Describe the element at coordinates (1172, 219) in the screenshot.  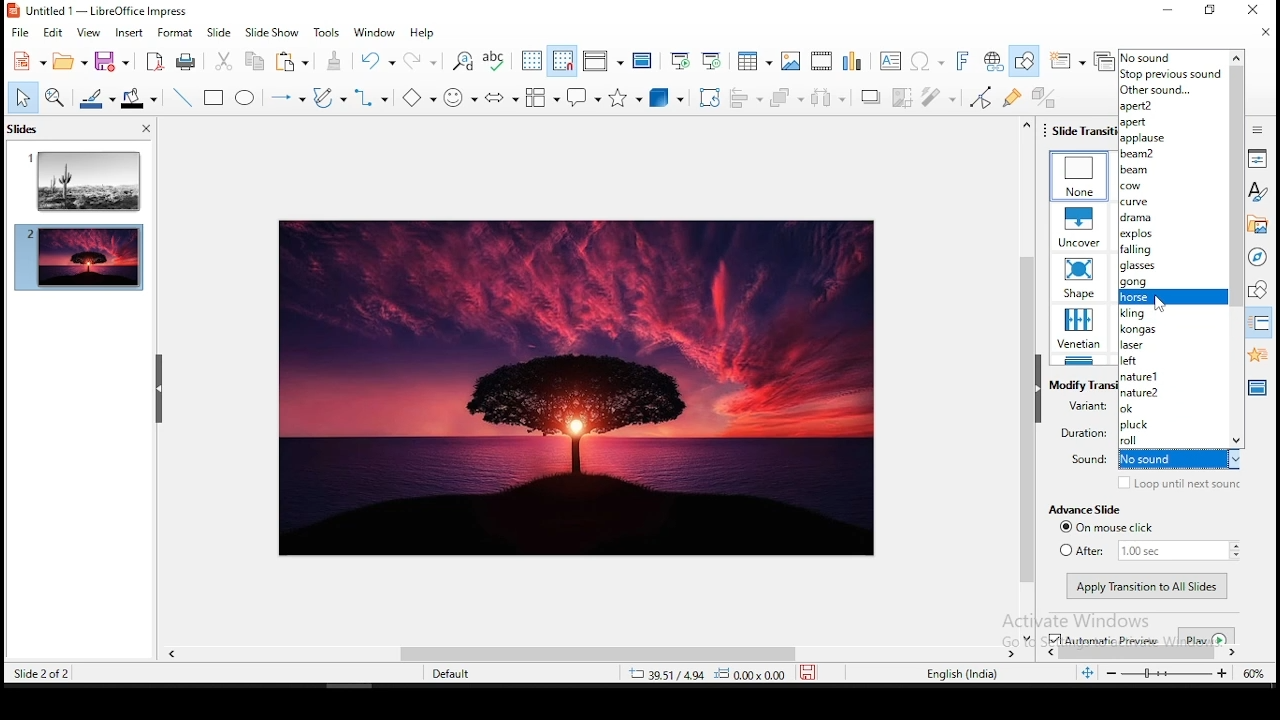
I see `drama` at that location.